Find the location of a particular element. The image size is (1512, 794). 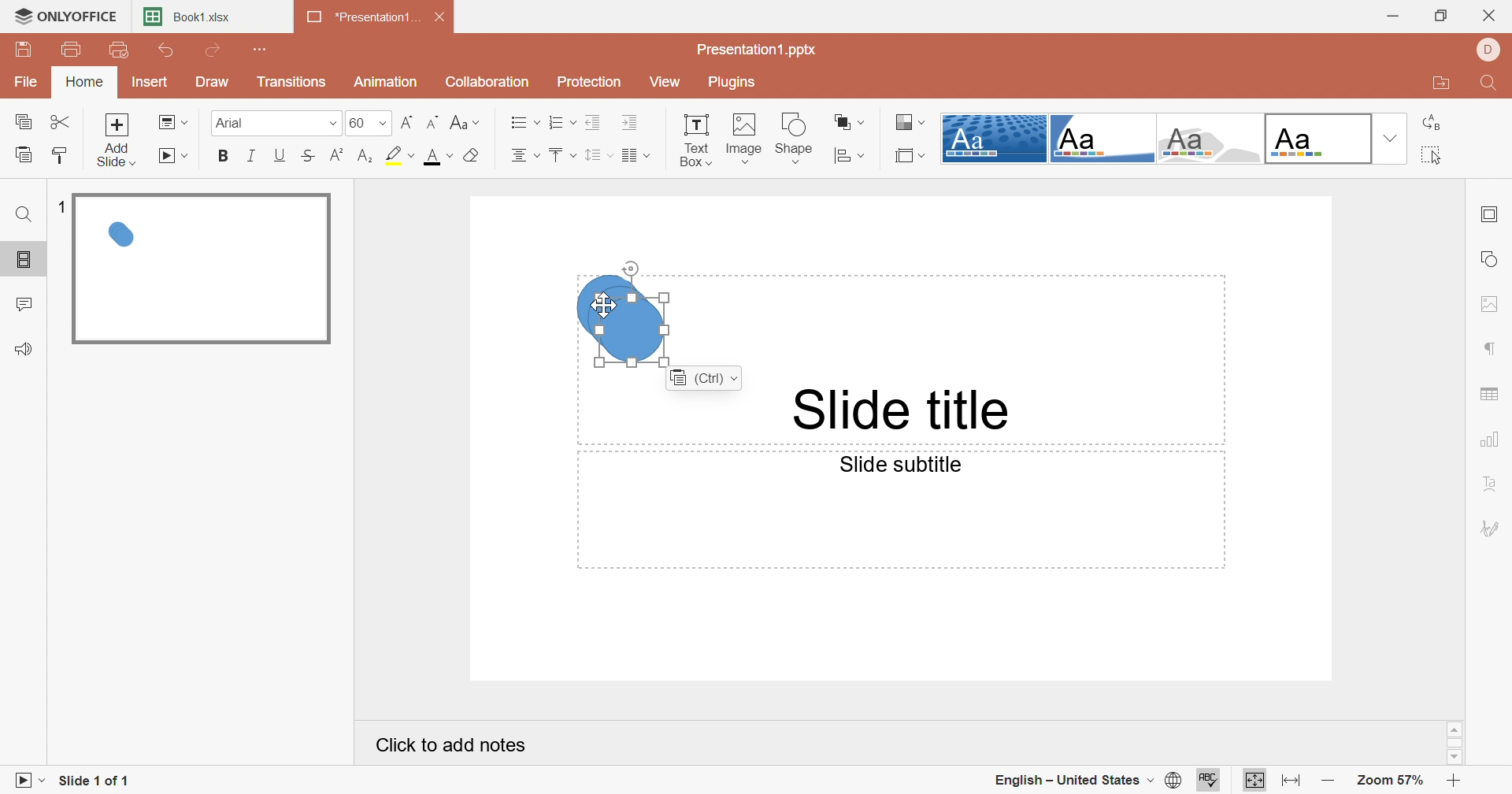

Zoom out is located at coordinates (1330, 784).